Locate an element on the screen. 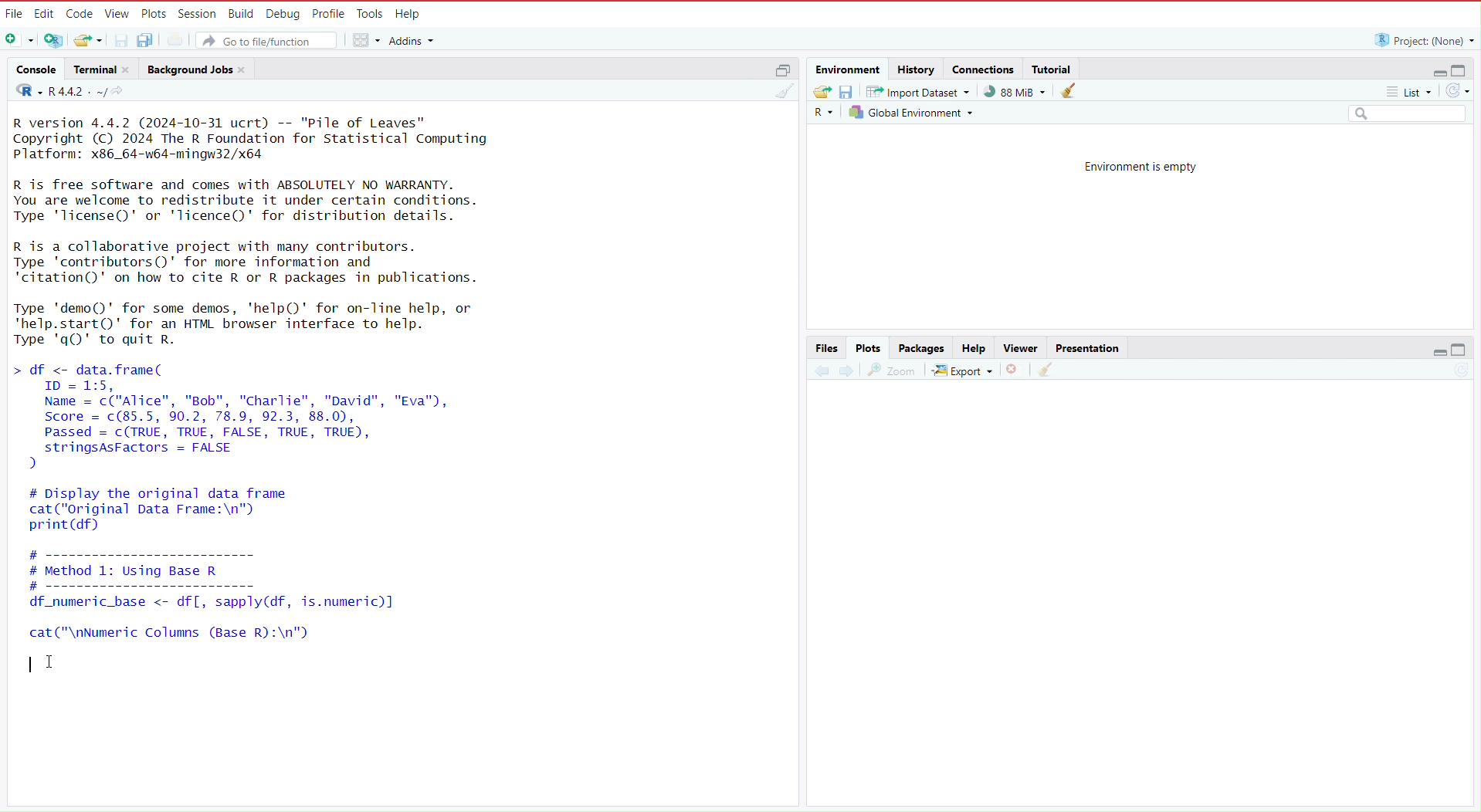 The image size is (1481, 812). Files is located at coordinates (825, 347).